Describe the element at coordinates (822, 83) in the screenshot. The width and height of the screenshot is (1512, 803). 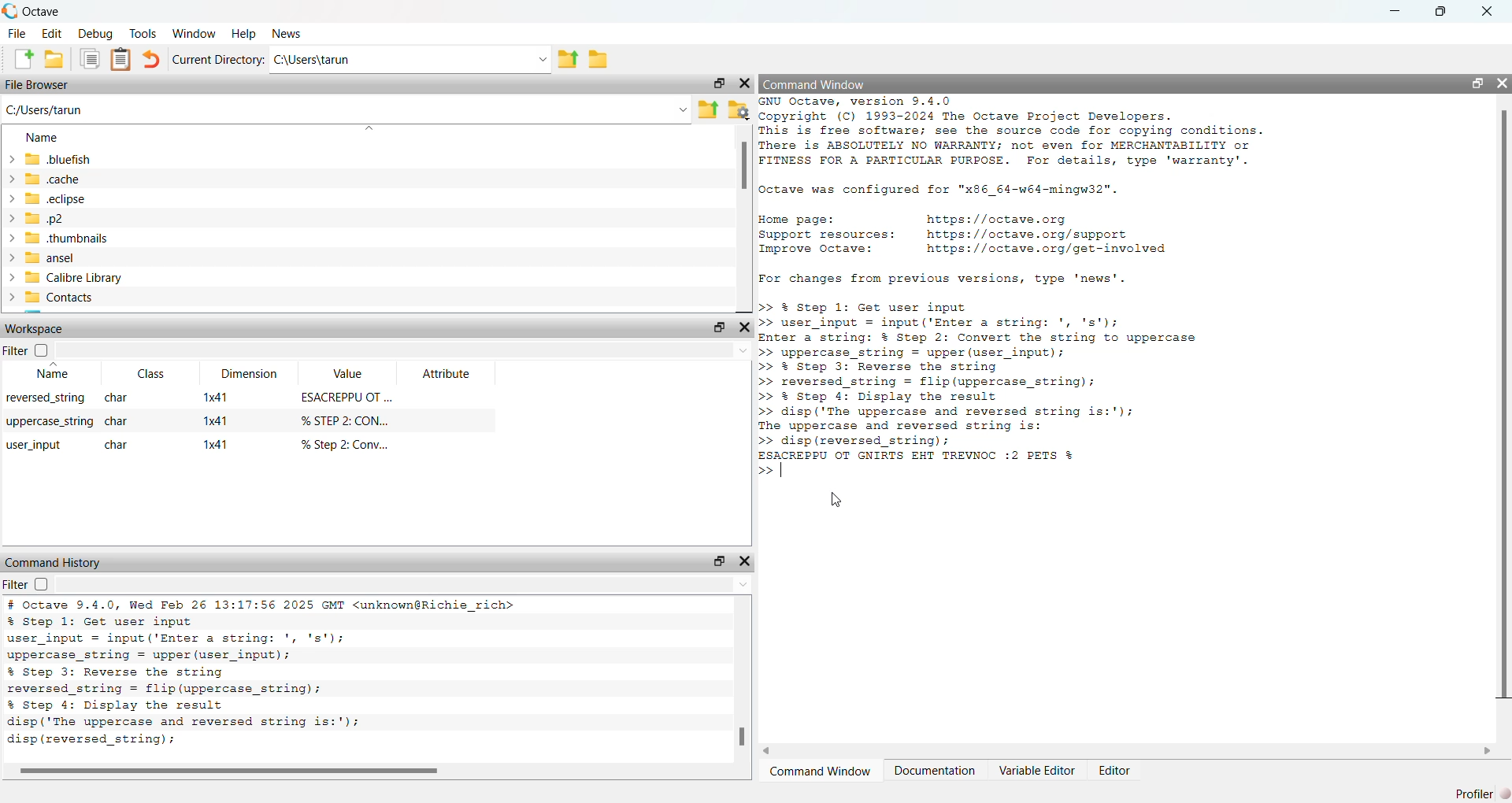
I see `command window` at that location.